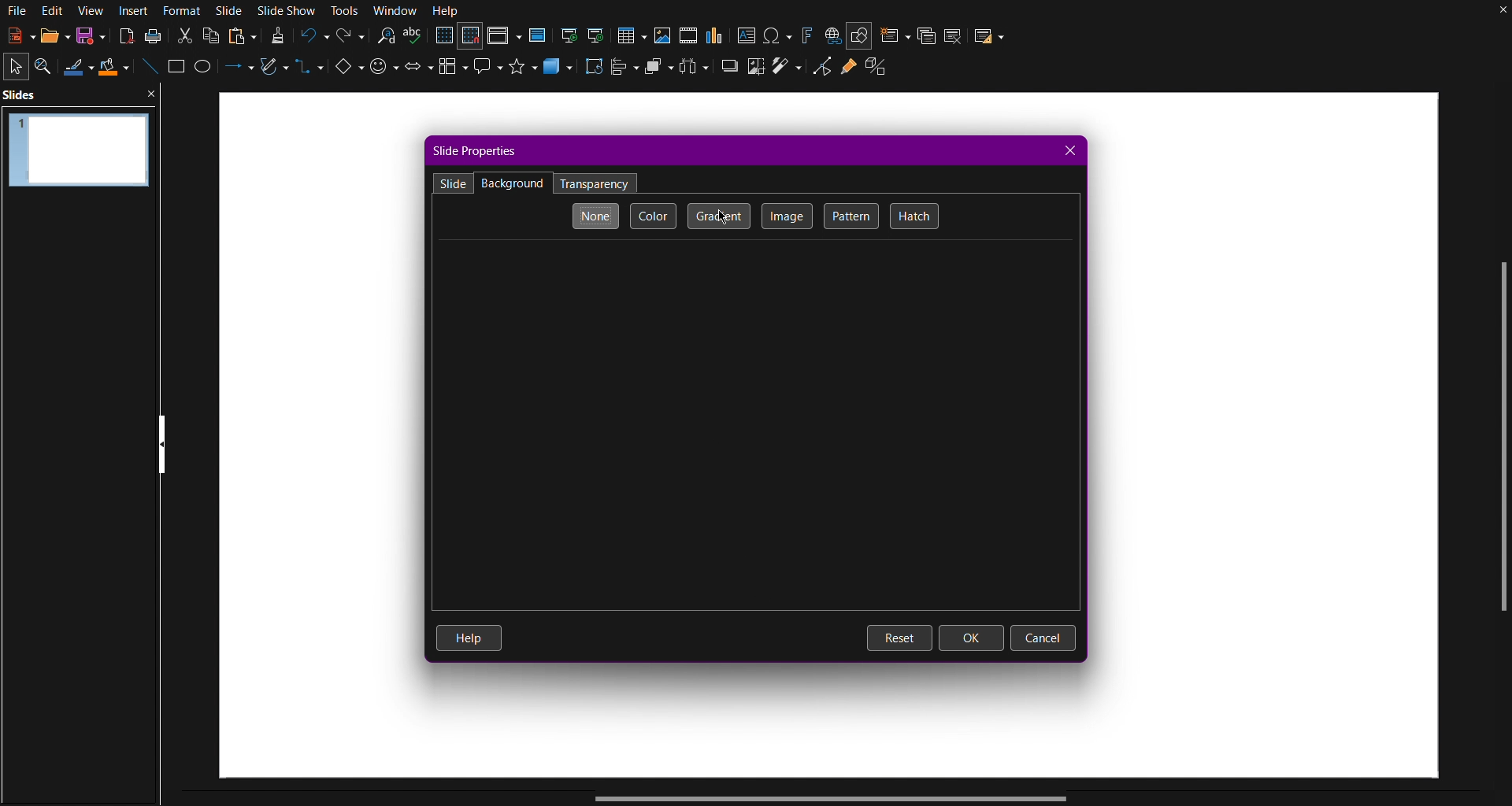 The image size is (1512, 806). What do you see at coordinates (926, 35) in the screenshot?
I see `Duplicate Slide` at bounding box center [926, 35].